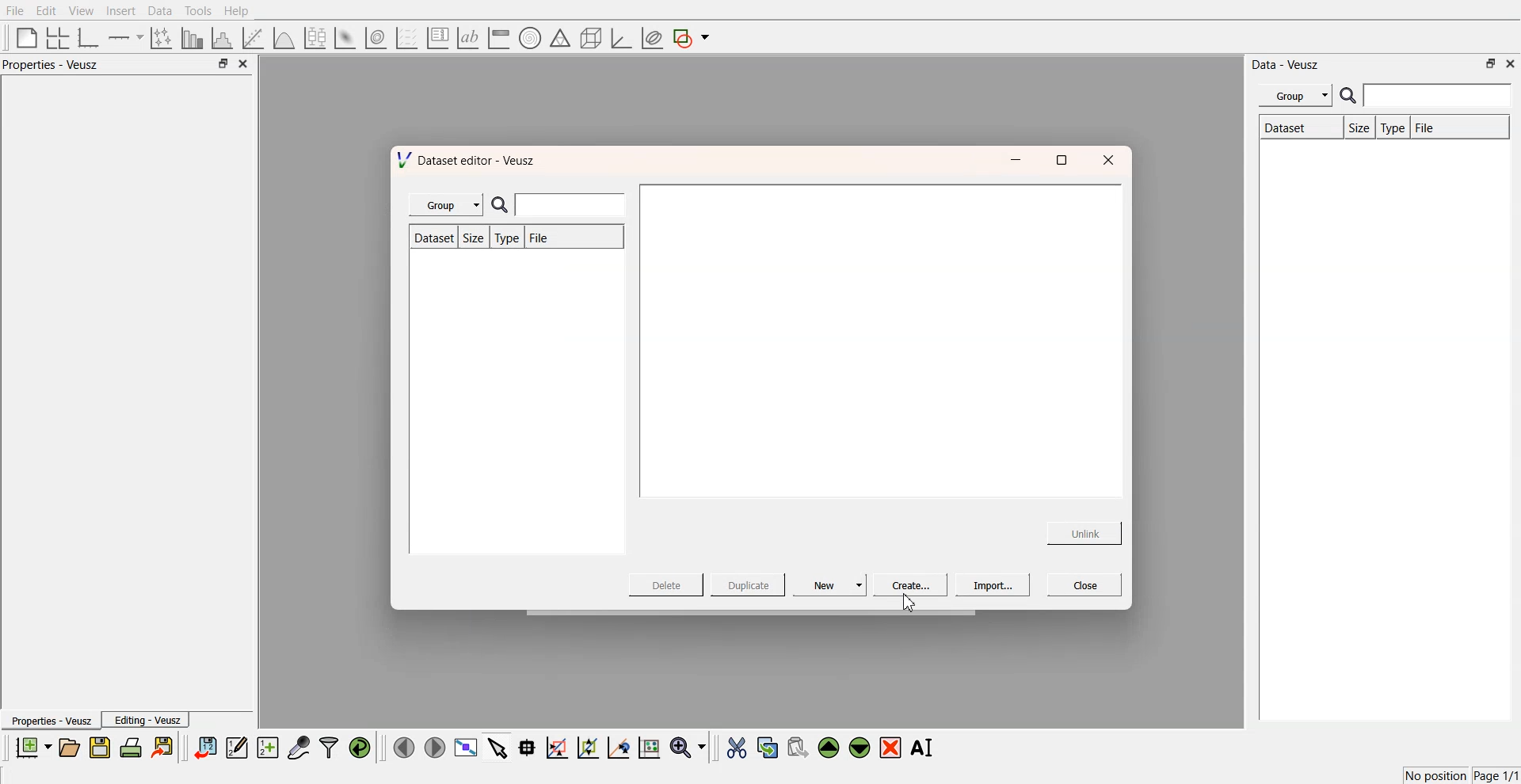  Describe the element at coordinates (327, 748) in the screenshot. I see `filters` at that location.